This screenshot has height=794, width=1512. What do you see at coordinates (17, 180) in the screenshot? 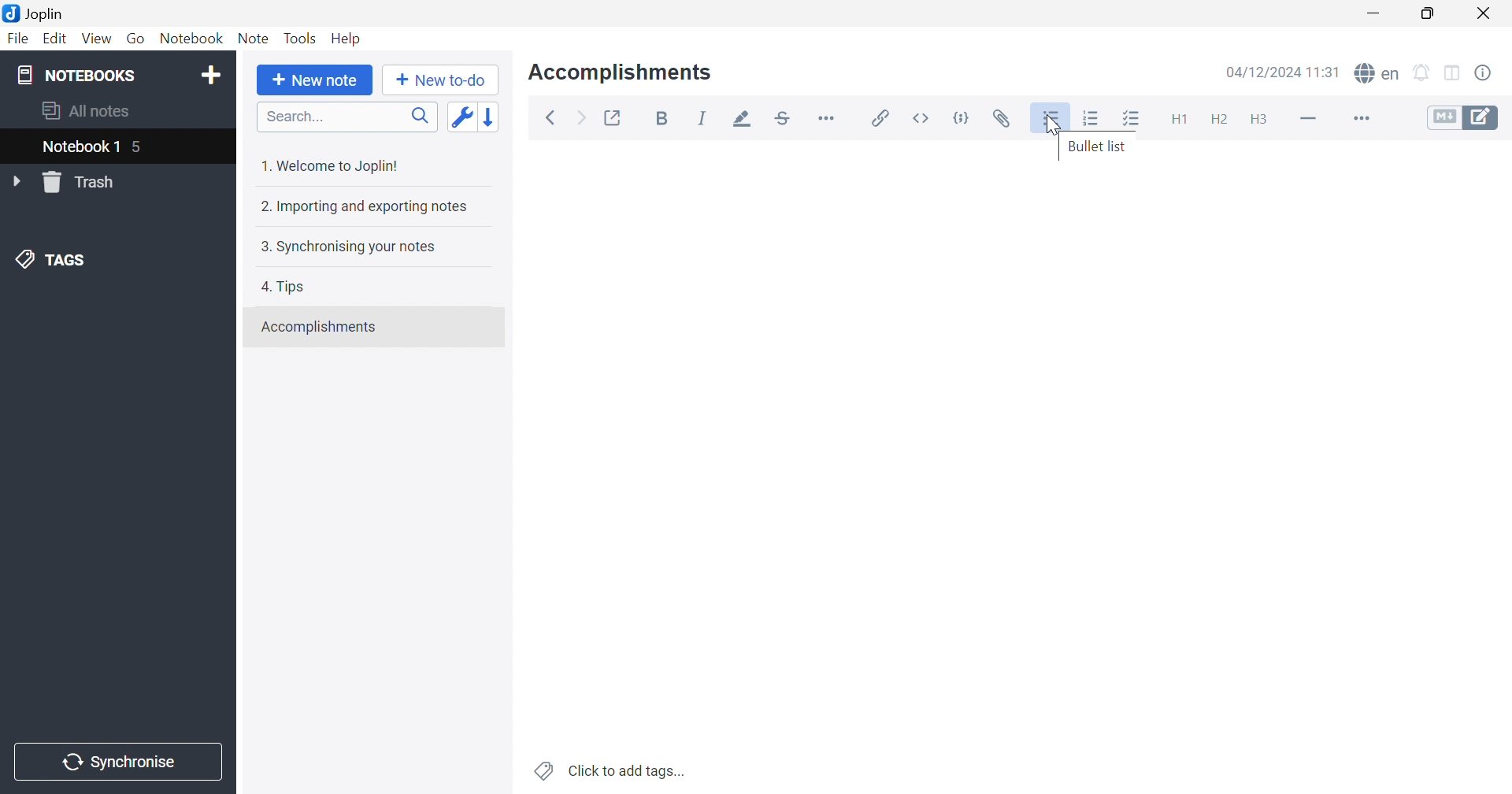
I see `Drop Down` at bounding box center [17, 180].